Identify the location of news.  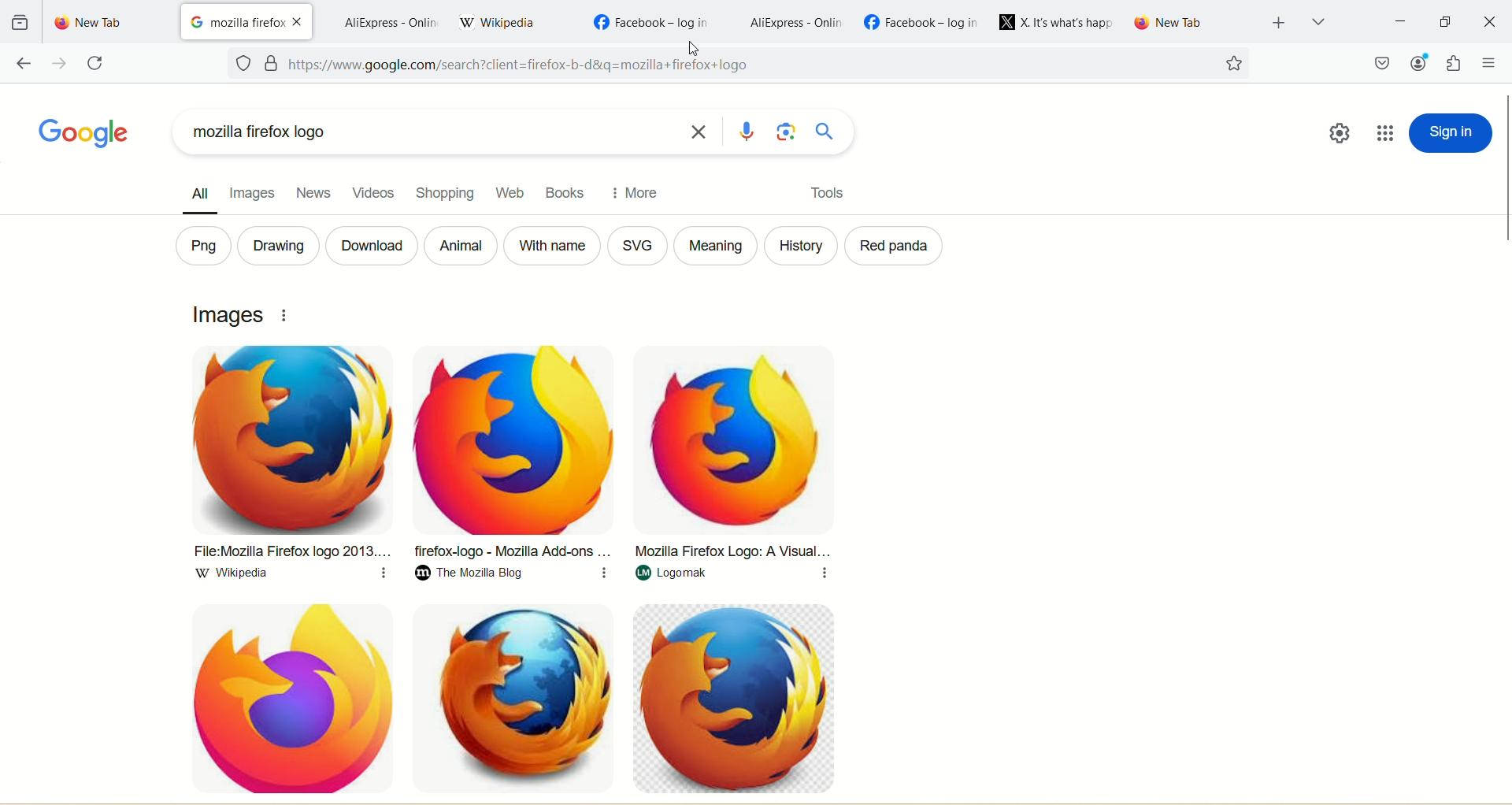
(309, 187).